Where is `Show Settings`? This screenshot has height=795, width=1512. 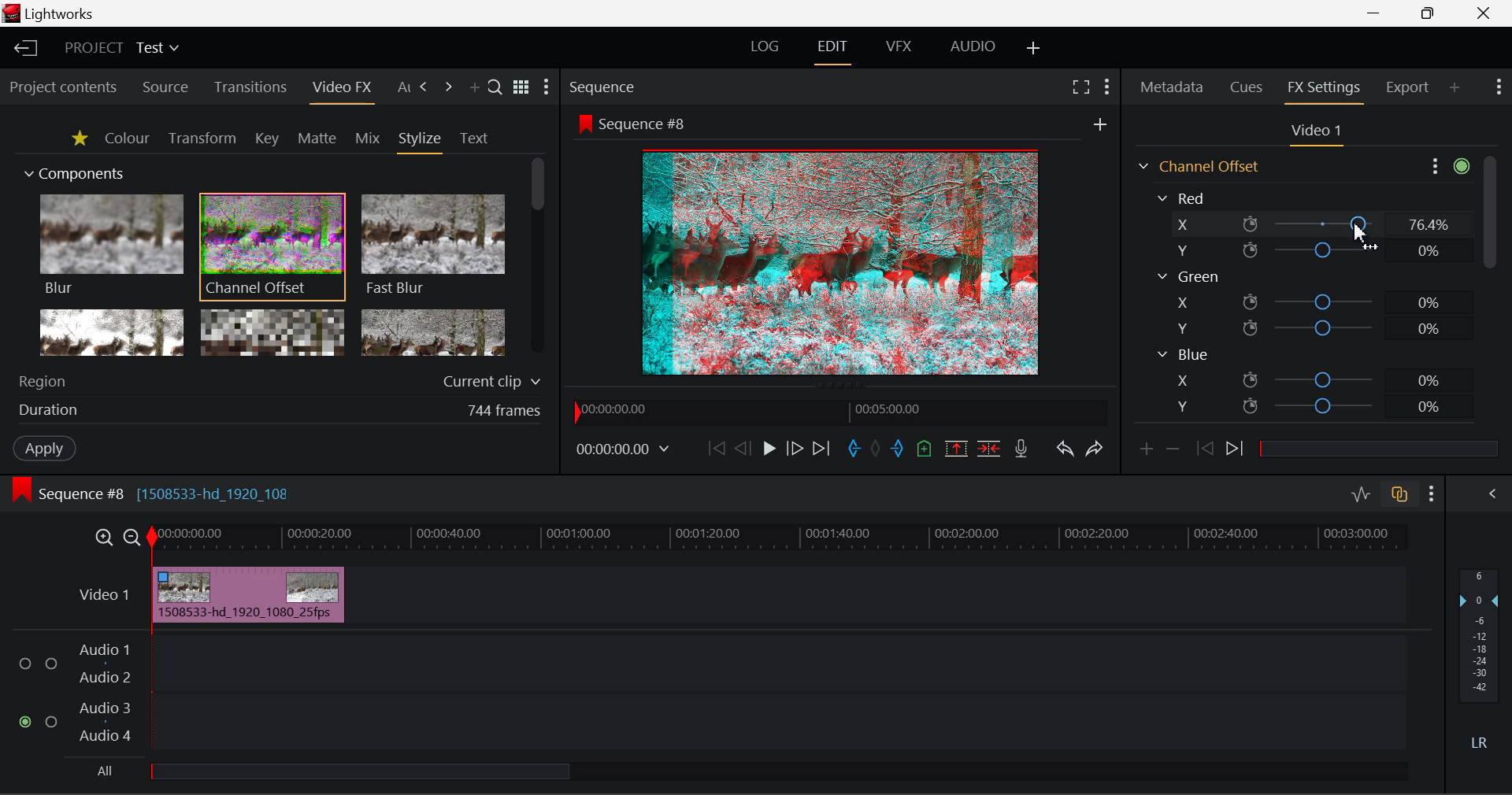 Show Settings is located at coordinates (1498, 87).